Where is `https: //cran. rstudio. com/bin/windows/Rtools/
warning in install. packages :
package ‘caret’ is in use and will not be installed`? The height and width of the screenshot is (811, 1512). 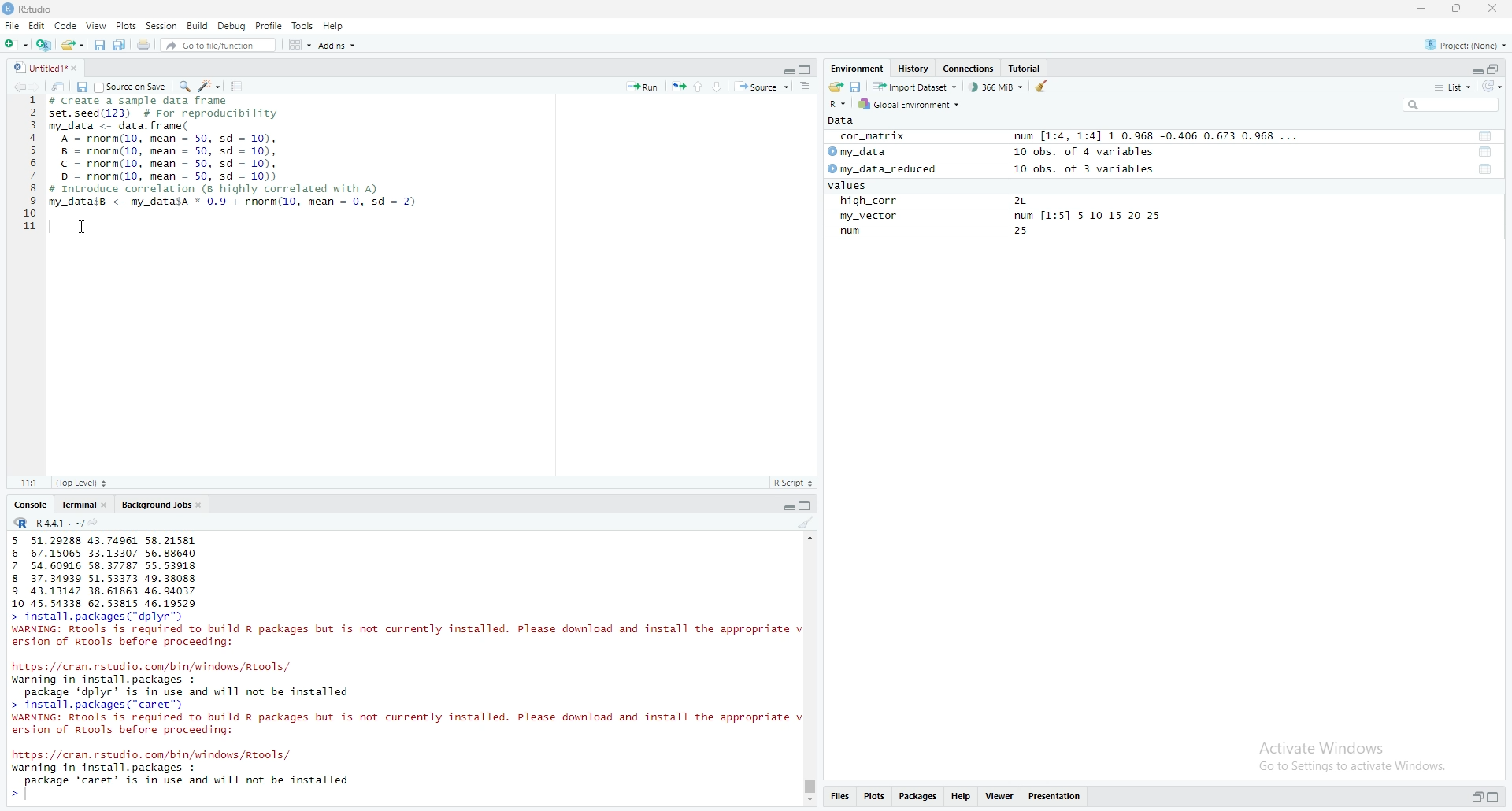 https: //cran. rstudio. com/bin/windows/Rtools/
warning in install. packages :
package ‘caret’ is in use and will not be installed is located at coordinates (183, 775).